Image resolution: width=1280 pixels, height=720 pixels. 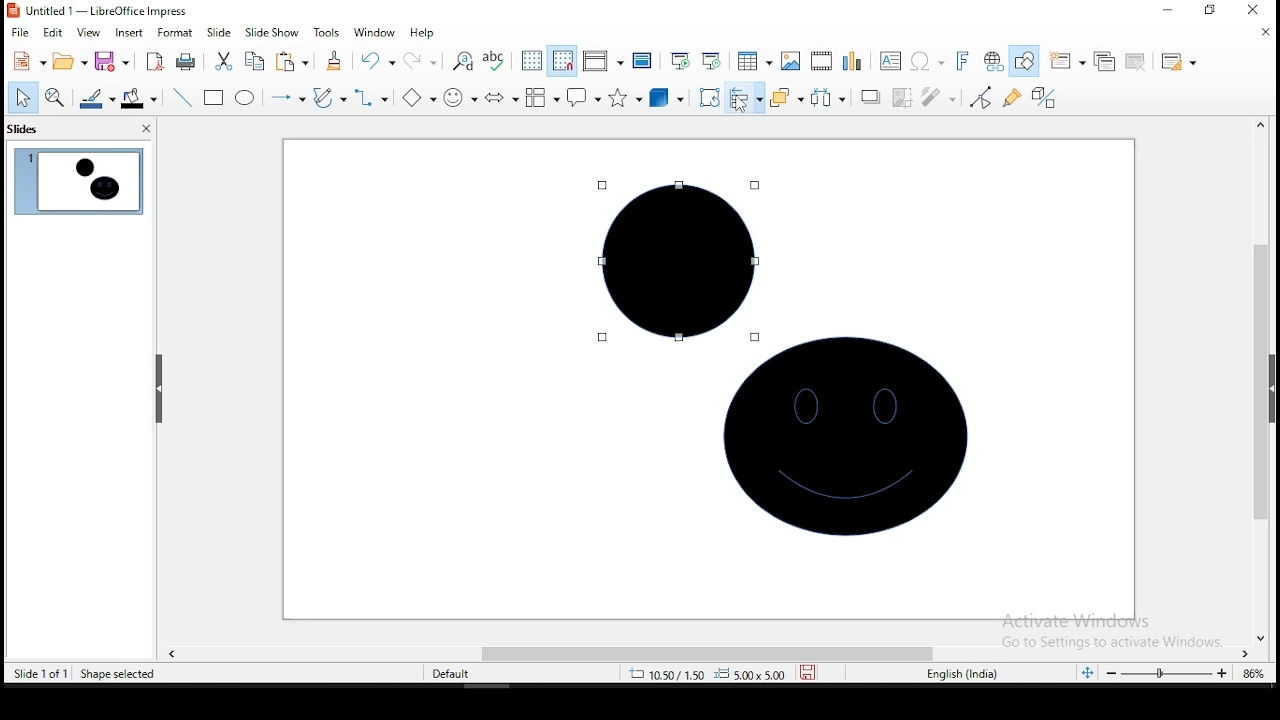 What do you see at coordinates (981, 96) in the screenshot?
I see `toggle point edit mode` at bounding box center [981, 96].